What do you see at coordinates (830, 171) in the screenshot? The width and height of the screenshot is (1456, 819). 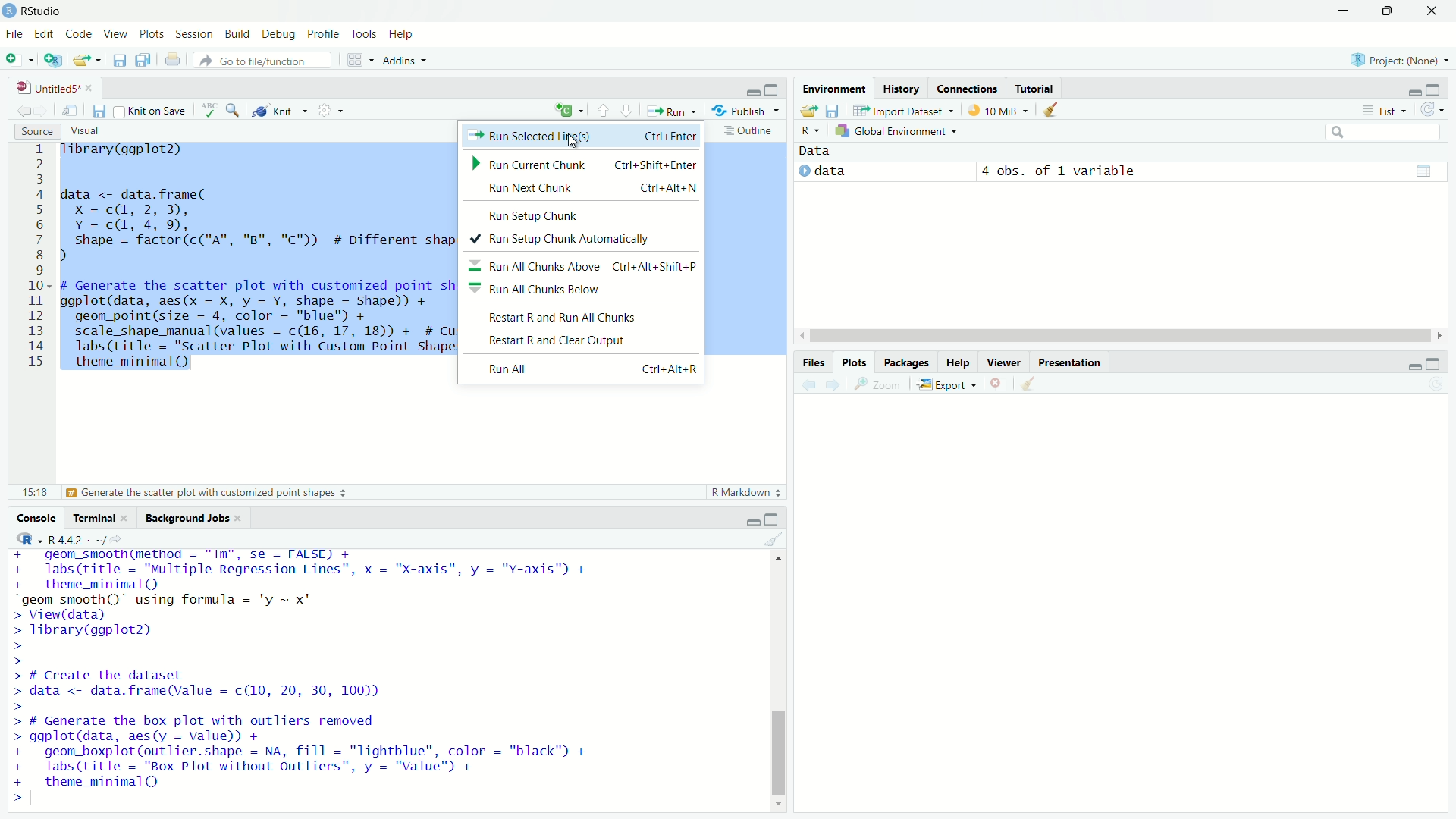 I see `data` at bounding box center [830, 171].